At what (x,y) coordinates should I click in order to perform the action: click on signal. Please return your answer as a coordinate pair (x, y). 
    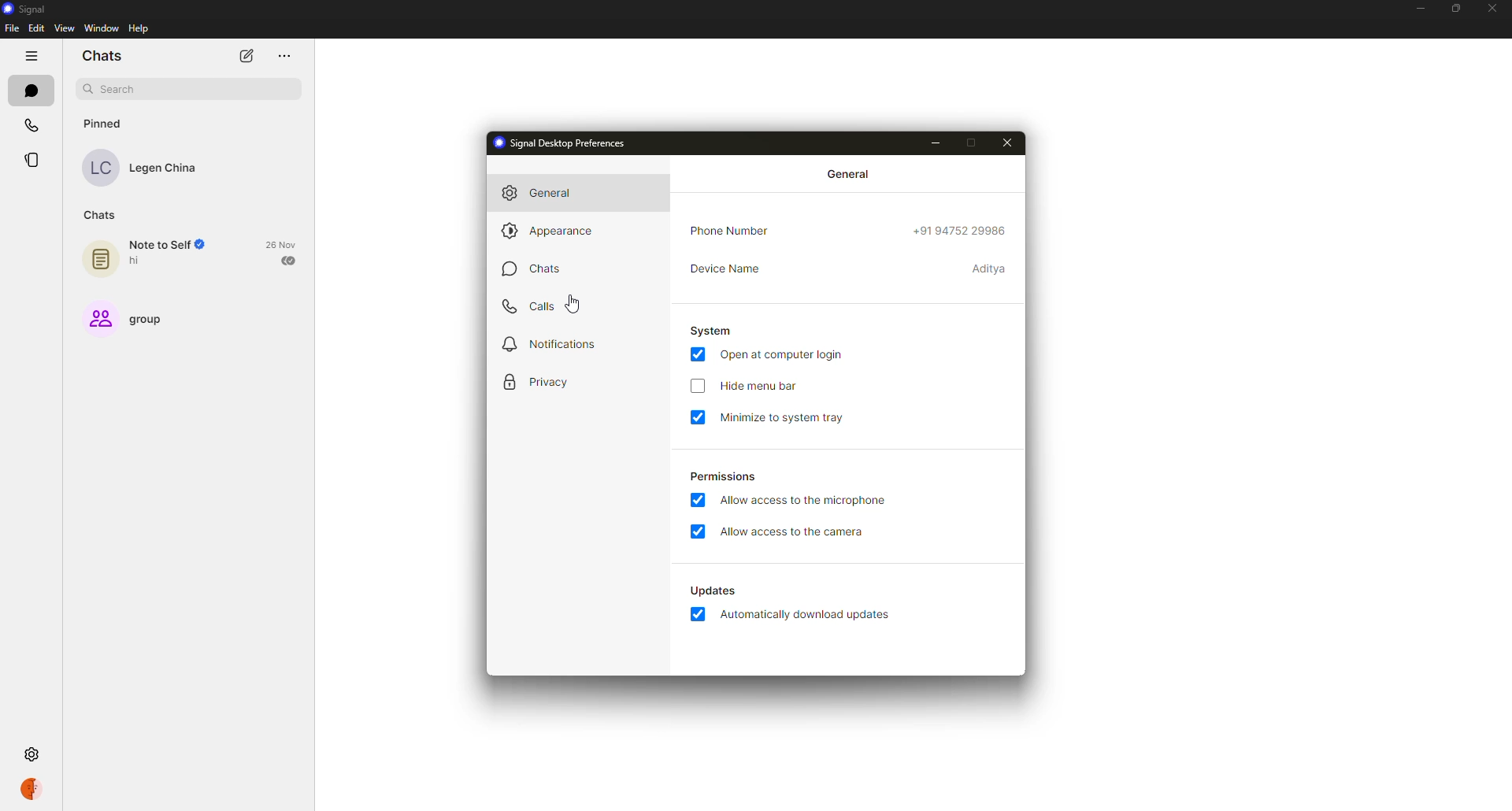
    Looking at the image, I should click on (28, 10).